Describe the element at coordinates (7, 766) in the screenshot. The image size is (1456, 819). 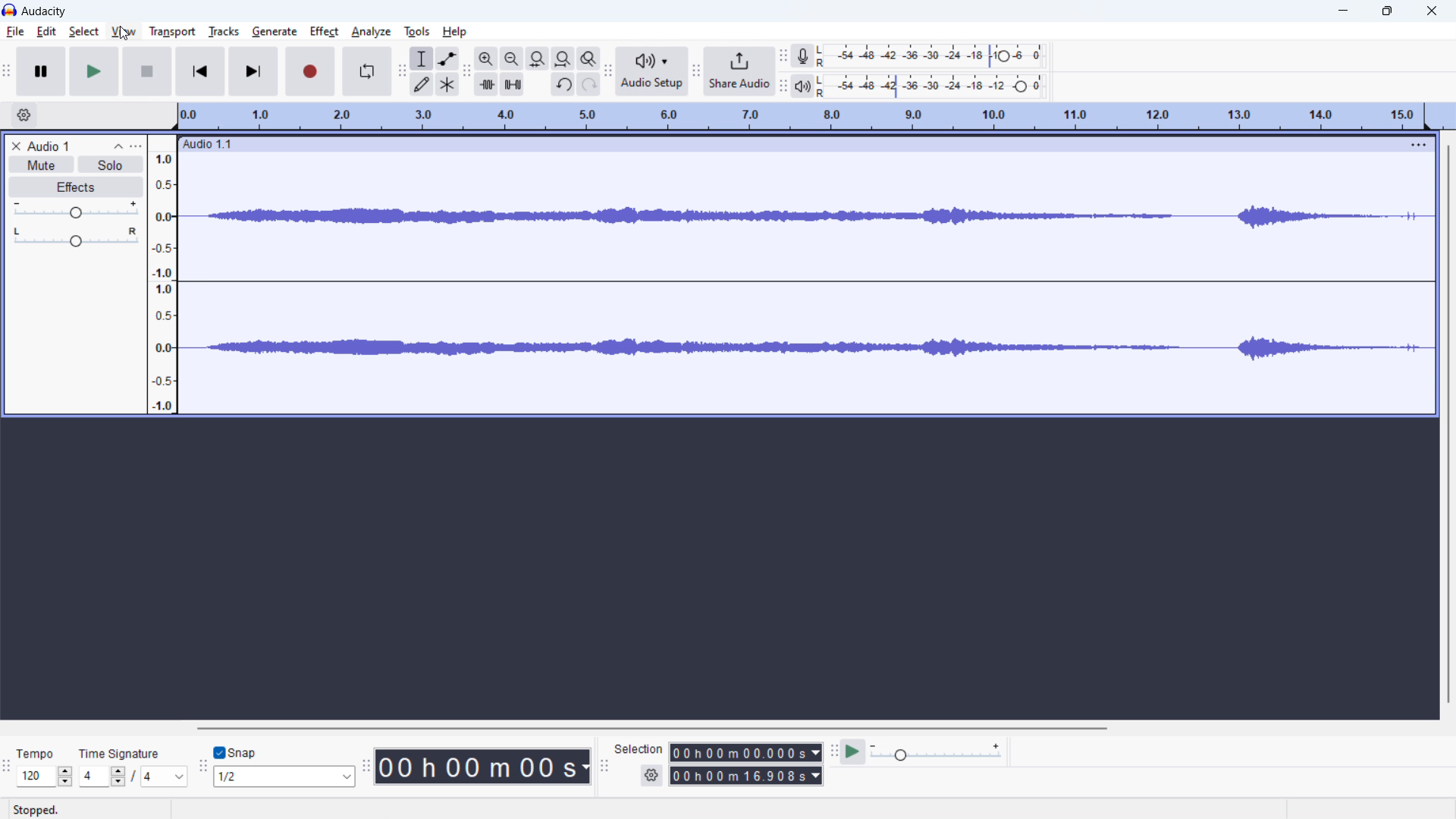
I see `tine signature toolbar` at that location.